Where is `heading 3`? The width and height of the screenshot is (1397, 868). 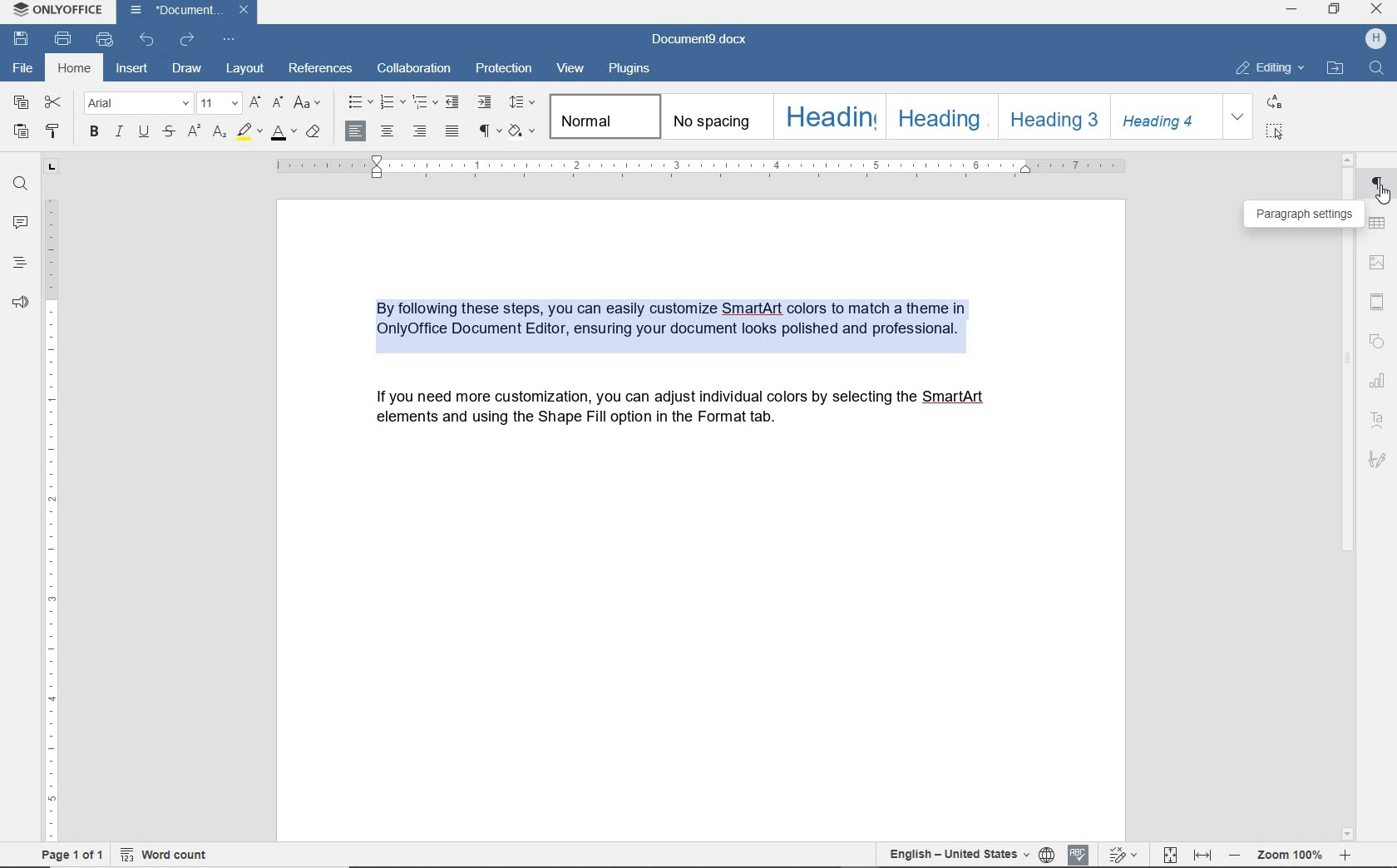
heading 3 is located at coordinates (1051, 116).